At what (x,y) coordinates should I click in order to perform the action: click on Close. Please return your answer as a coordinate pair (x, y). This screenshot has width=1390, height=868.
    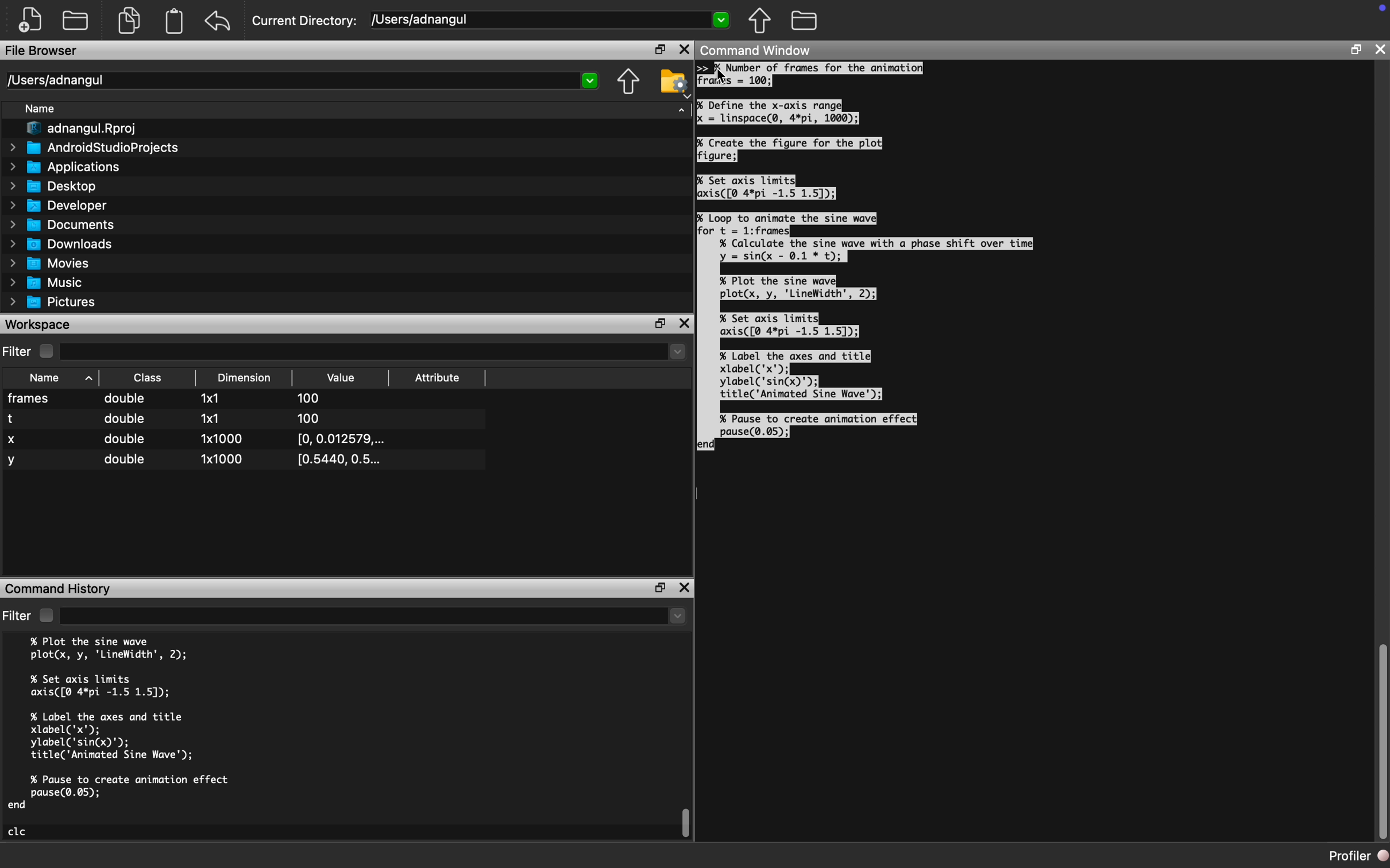
    Looking at the image, I should click on (1377, 51).